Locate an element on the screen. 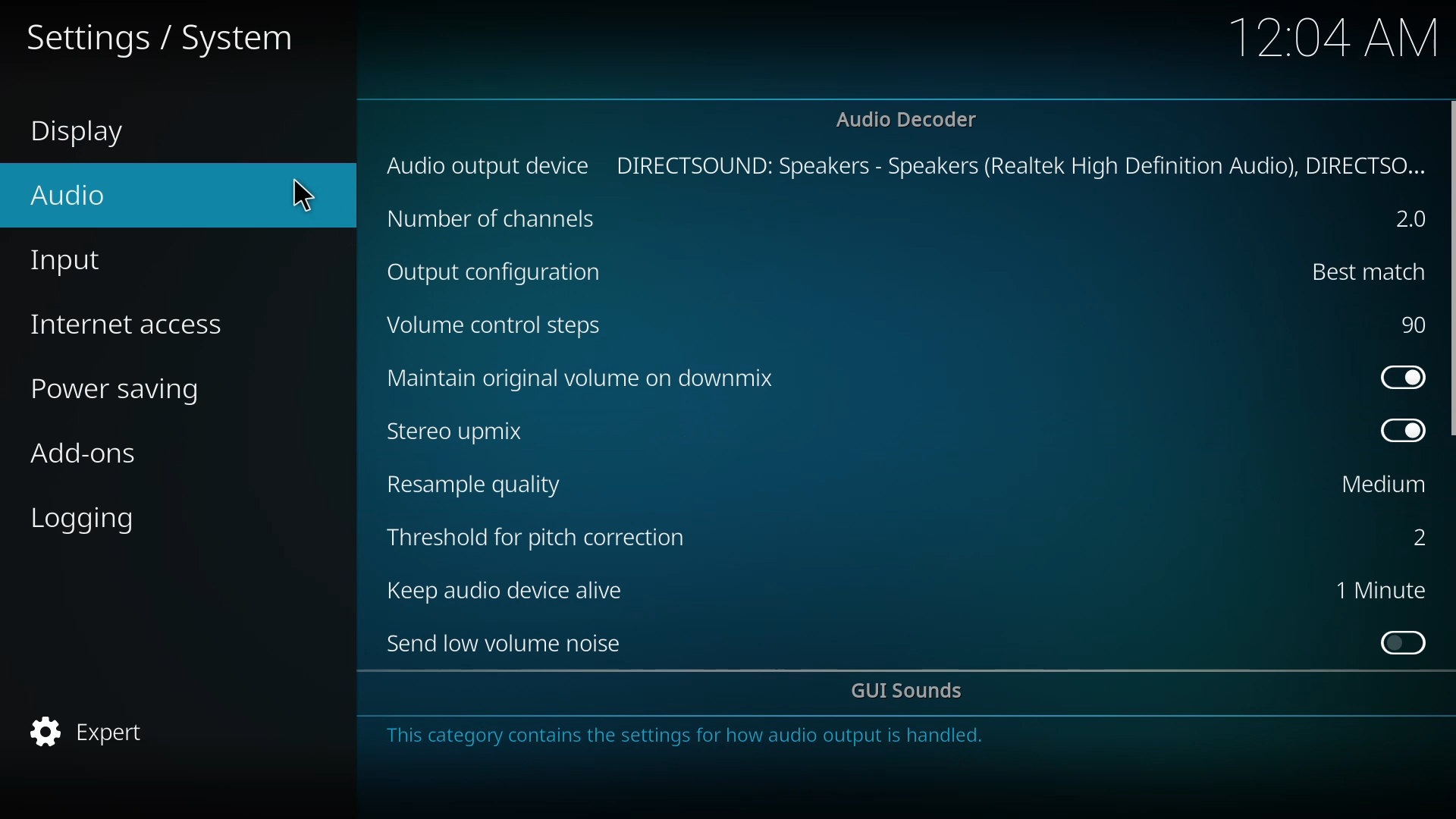 This screenshot has height=819, width=1456. enabled is located at coordinates (1400, 375).